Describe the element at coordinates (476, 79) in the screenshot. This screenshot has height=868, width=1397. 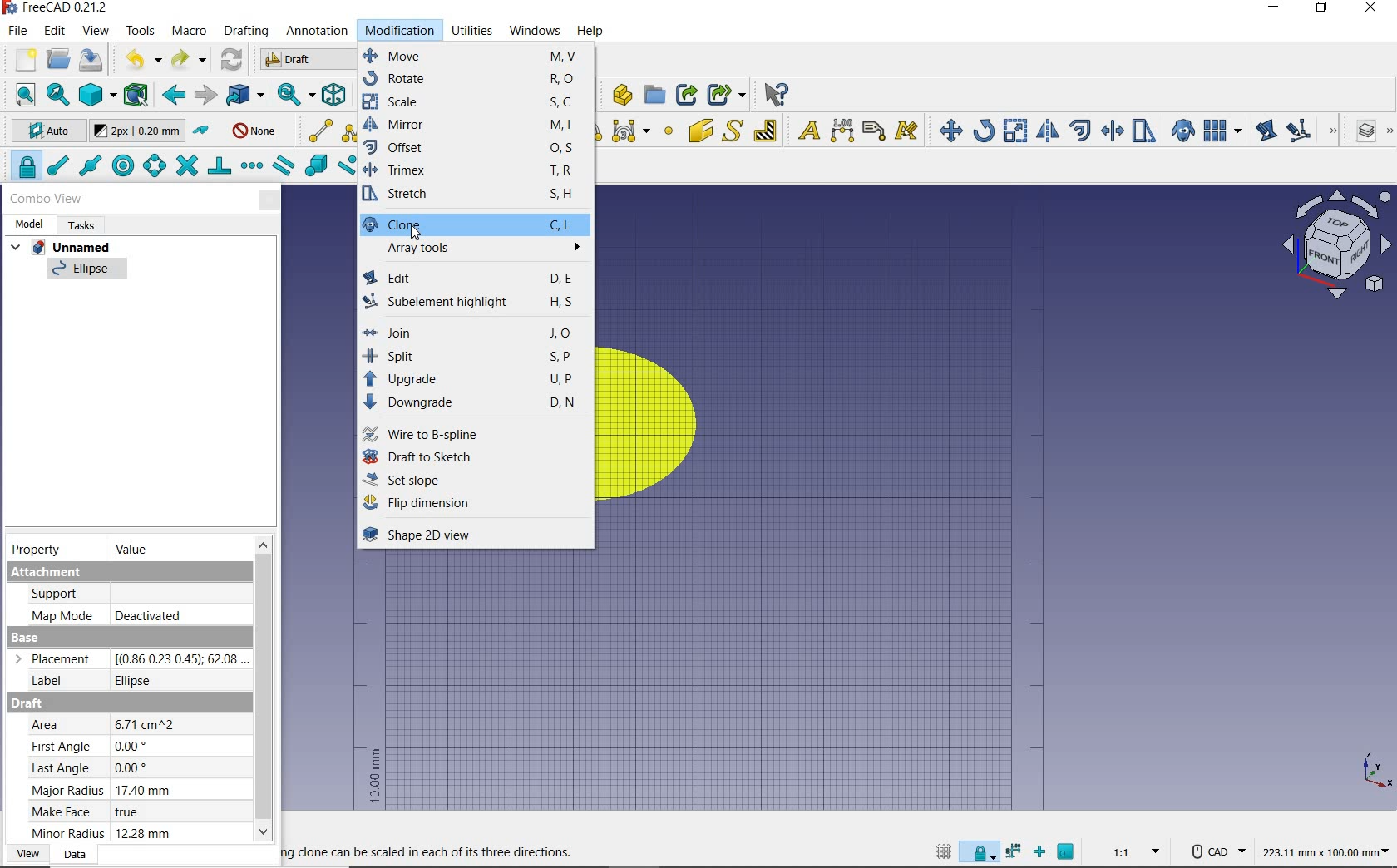
I see `rotate` at that location.